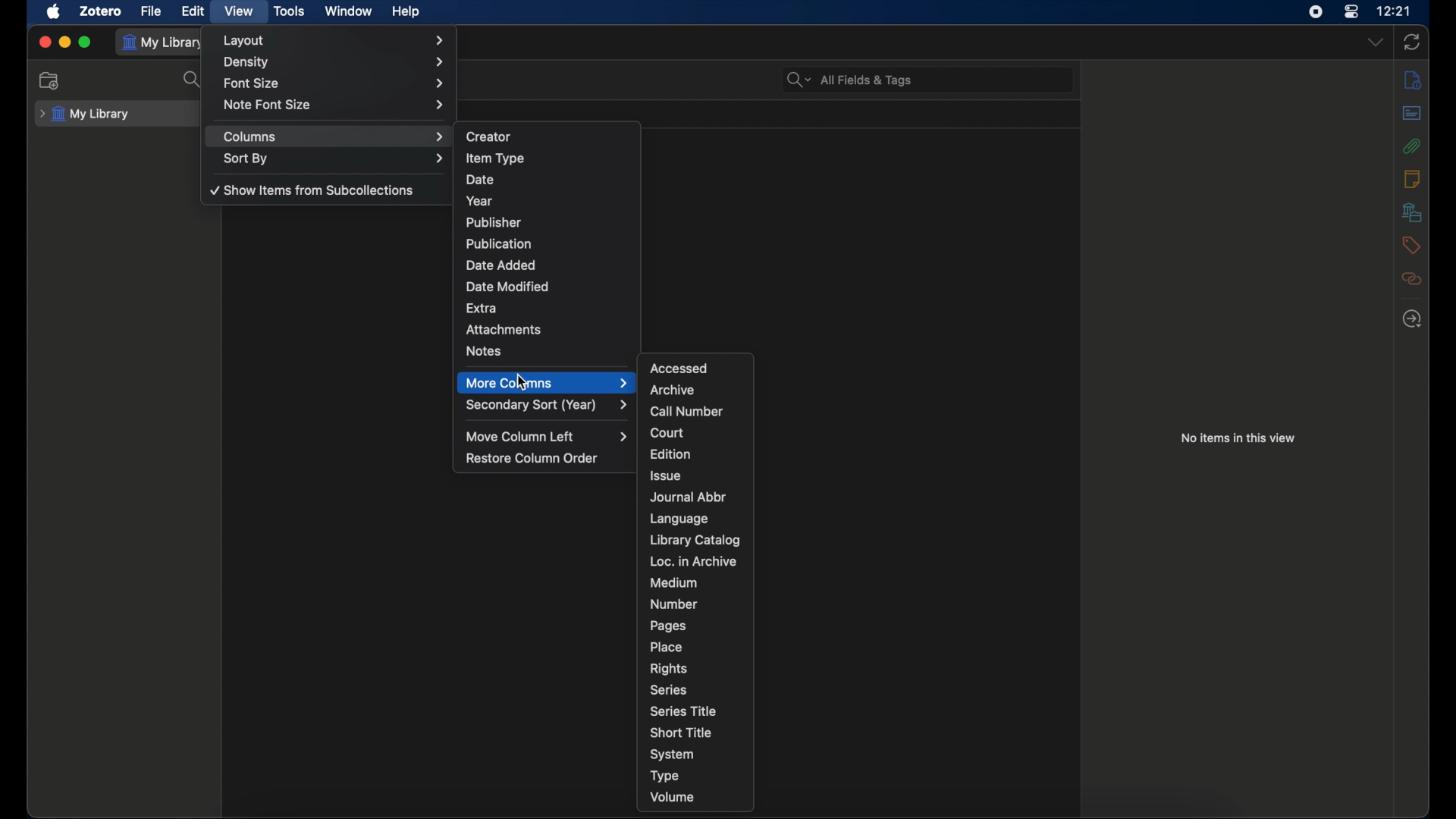 The height and width of the screenshot is (819, 1456). What do you see at coordinates (502, 265) in the screenshot?
I see `date added` at bounding box center [502, 265].